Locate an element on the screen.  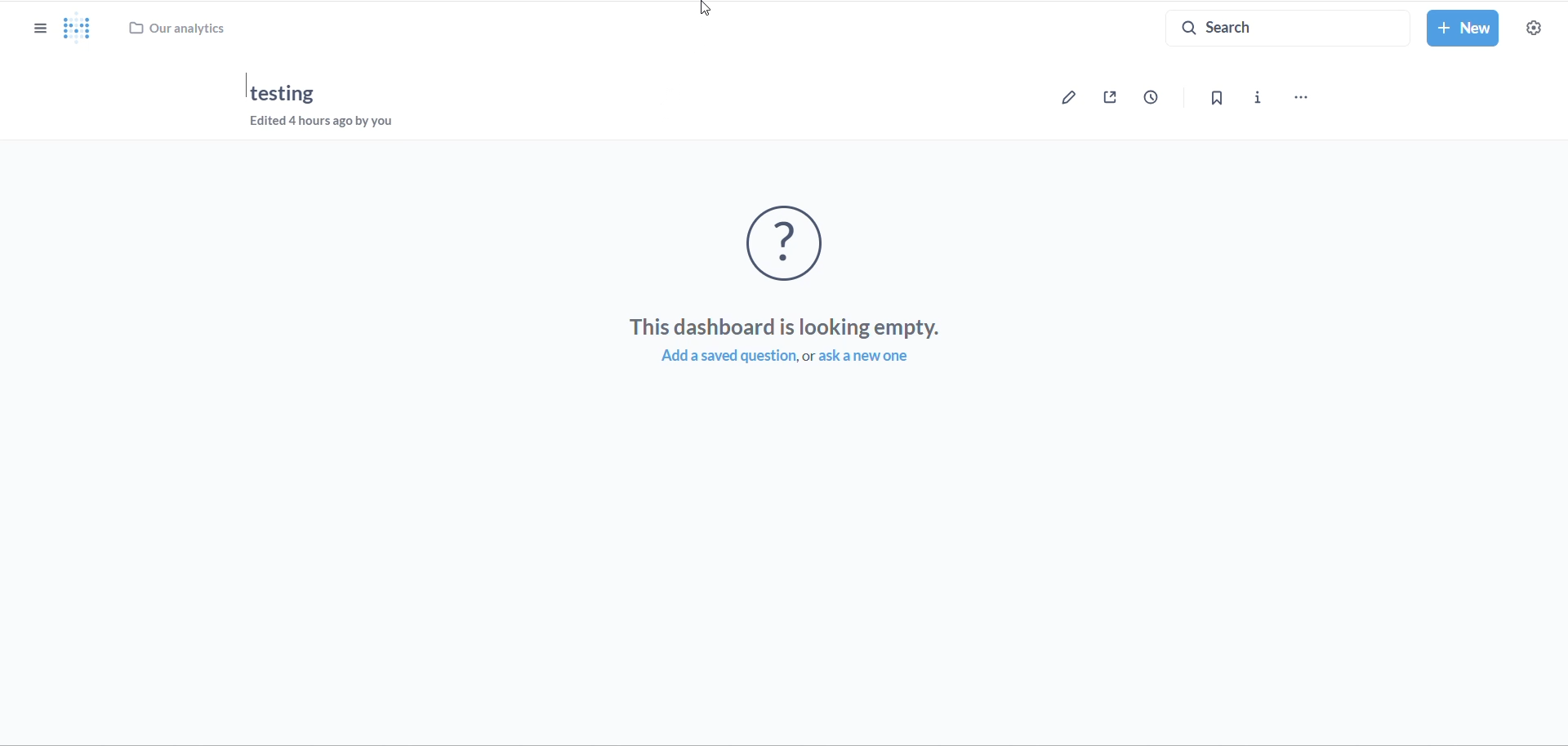
This dashboard is looking empty  is located at coordinates (786, 328).